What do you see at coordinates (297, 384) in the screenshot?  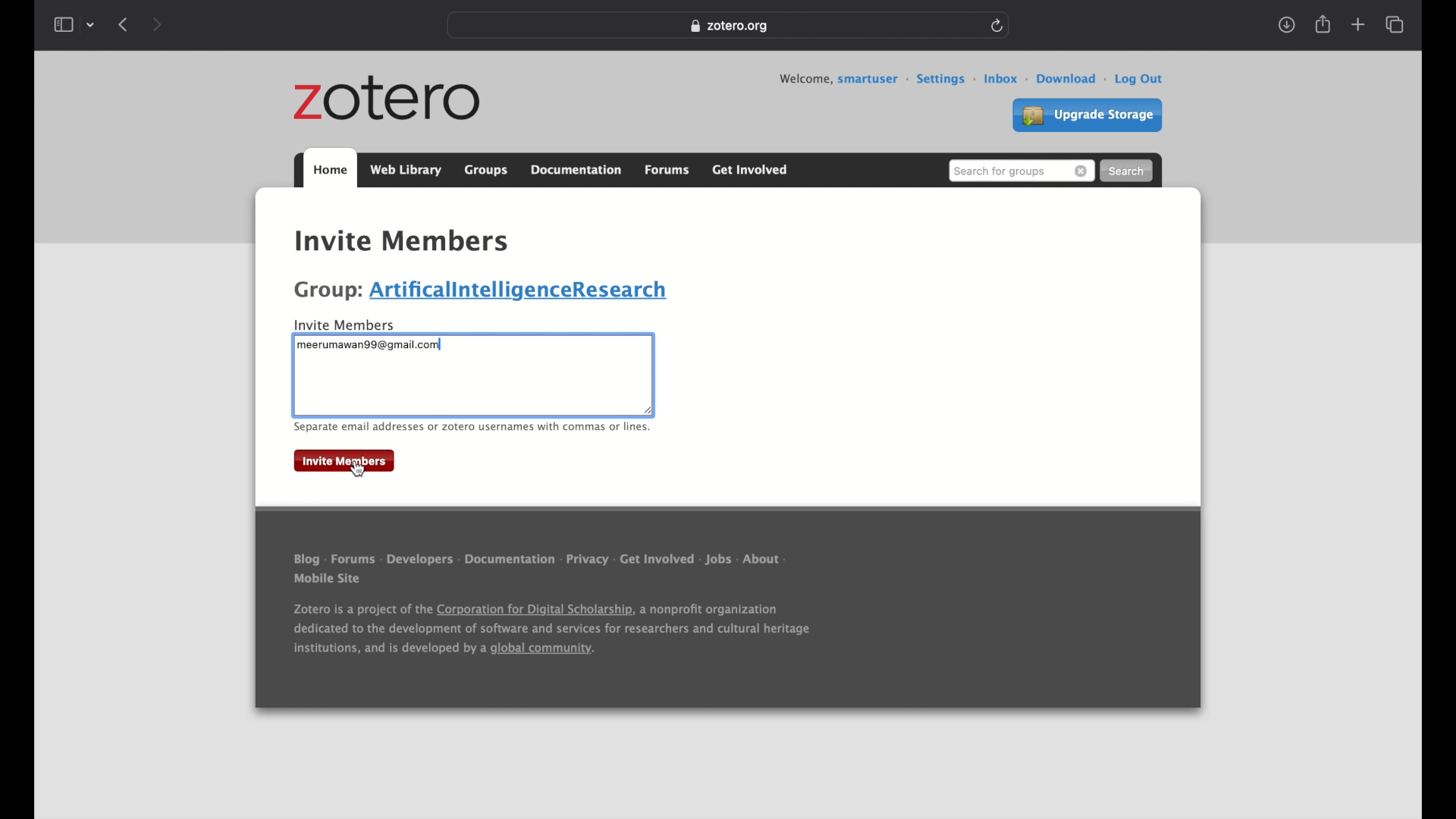 I see `highlighted text boundary` at bounding box center [297, 384].